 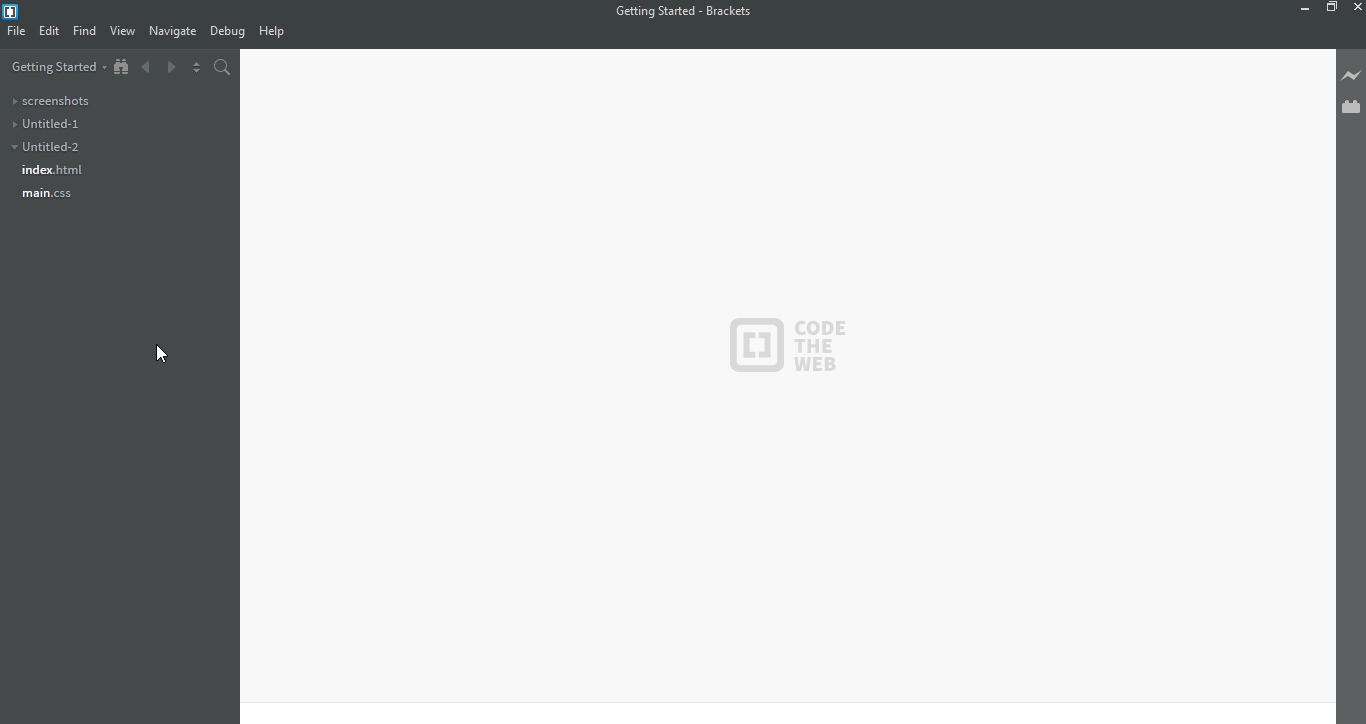 I want to click on find, so click(x=86, y=30).